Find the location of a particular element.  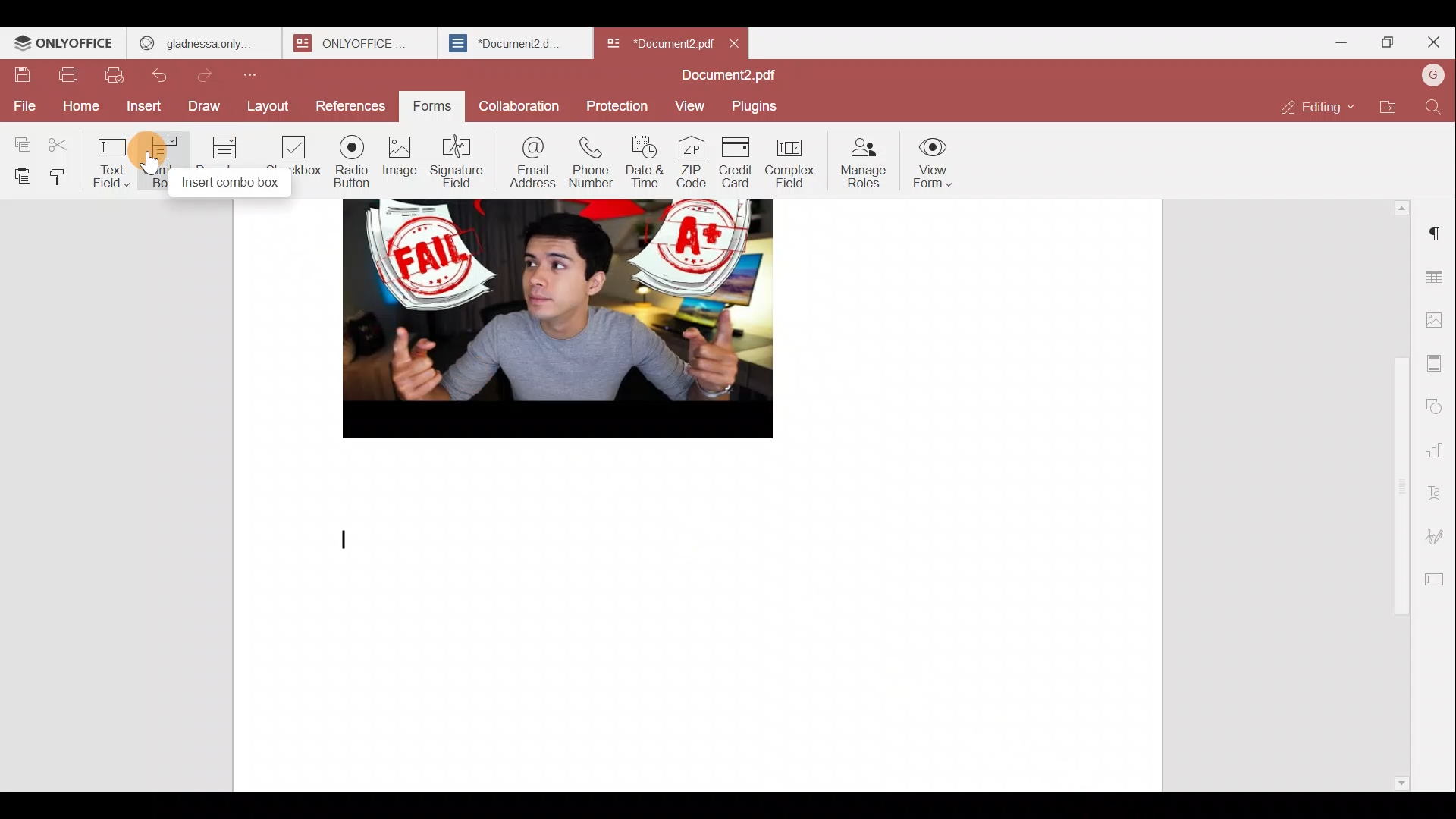

Insert combo box is located at coordinates (231, 183).